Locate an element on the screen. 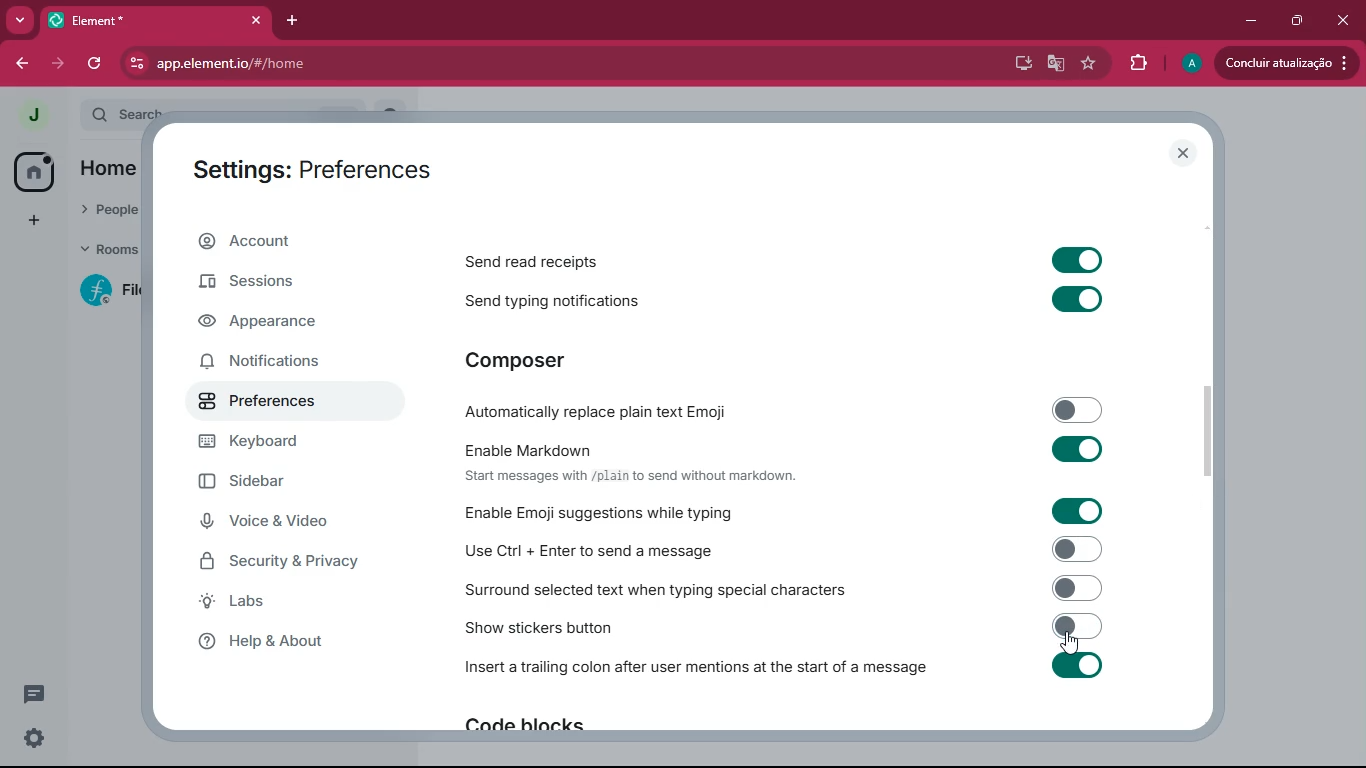 This screenshot has width=1366, height=768. Use Ctrl + Enter to send a message is located at coordinates (780, 549).